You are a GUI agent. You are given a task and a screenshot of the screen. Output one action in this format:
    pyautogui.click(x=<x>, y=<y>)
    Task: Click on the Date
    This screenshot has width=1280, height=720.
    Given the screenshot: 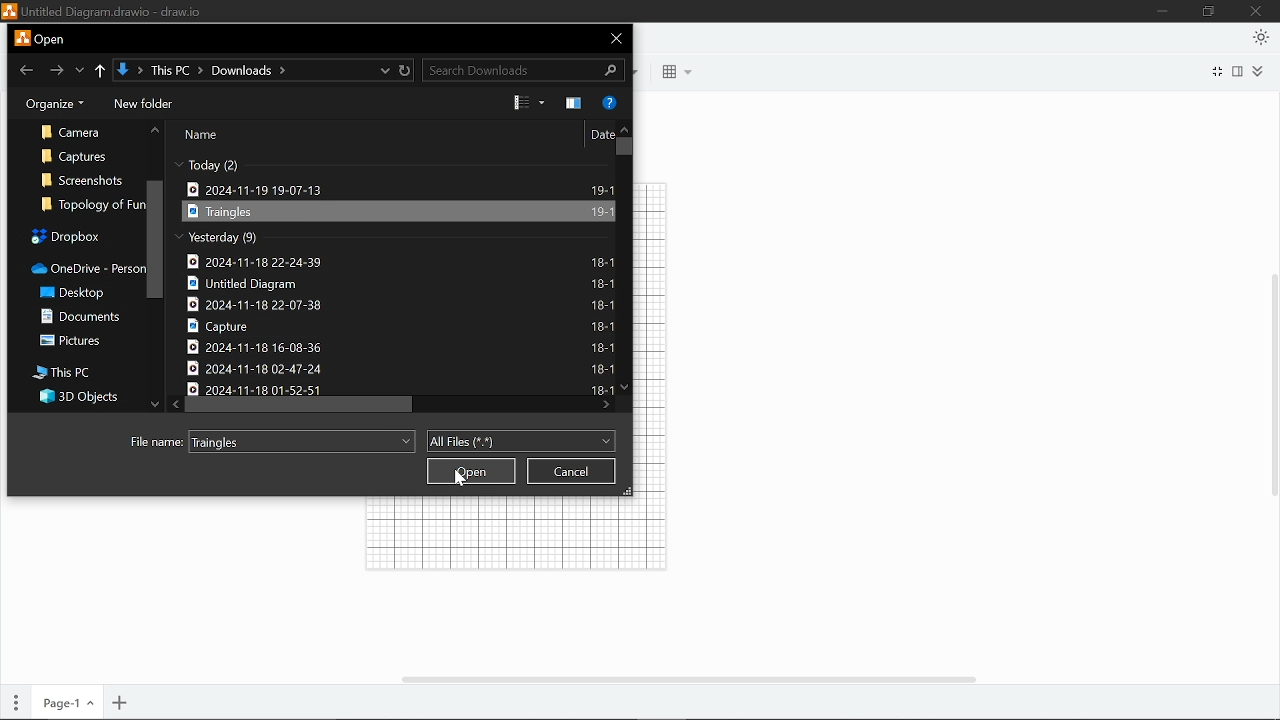 What is the action you would take?
    pyautogui.click(x=601, y=135)
    